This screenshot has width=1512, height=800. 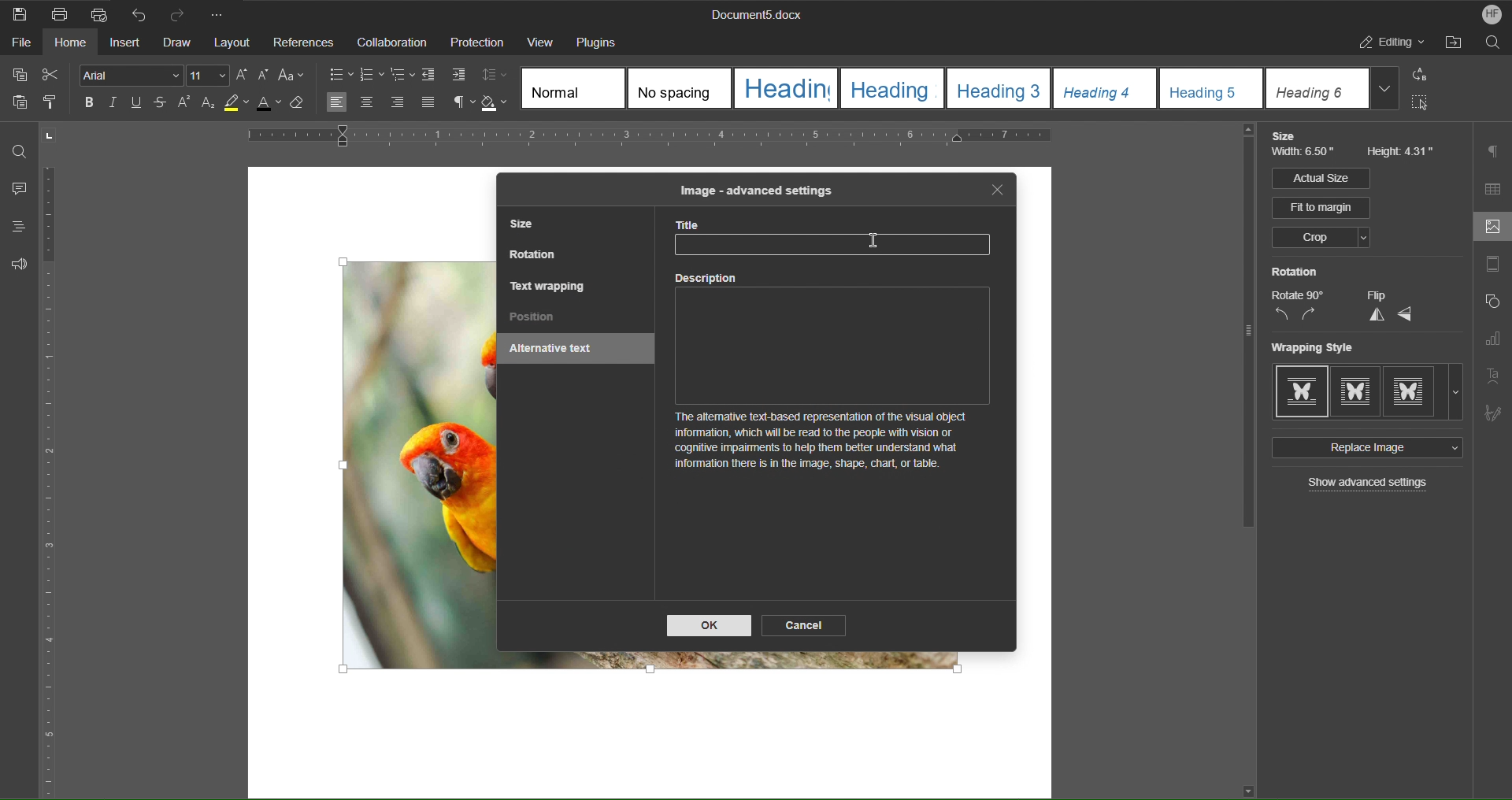 What do you see at coordinates (458, 103) in the screenshot?
I see `Non-Printing Characters` at bounding box center [458, 103].